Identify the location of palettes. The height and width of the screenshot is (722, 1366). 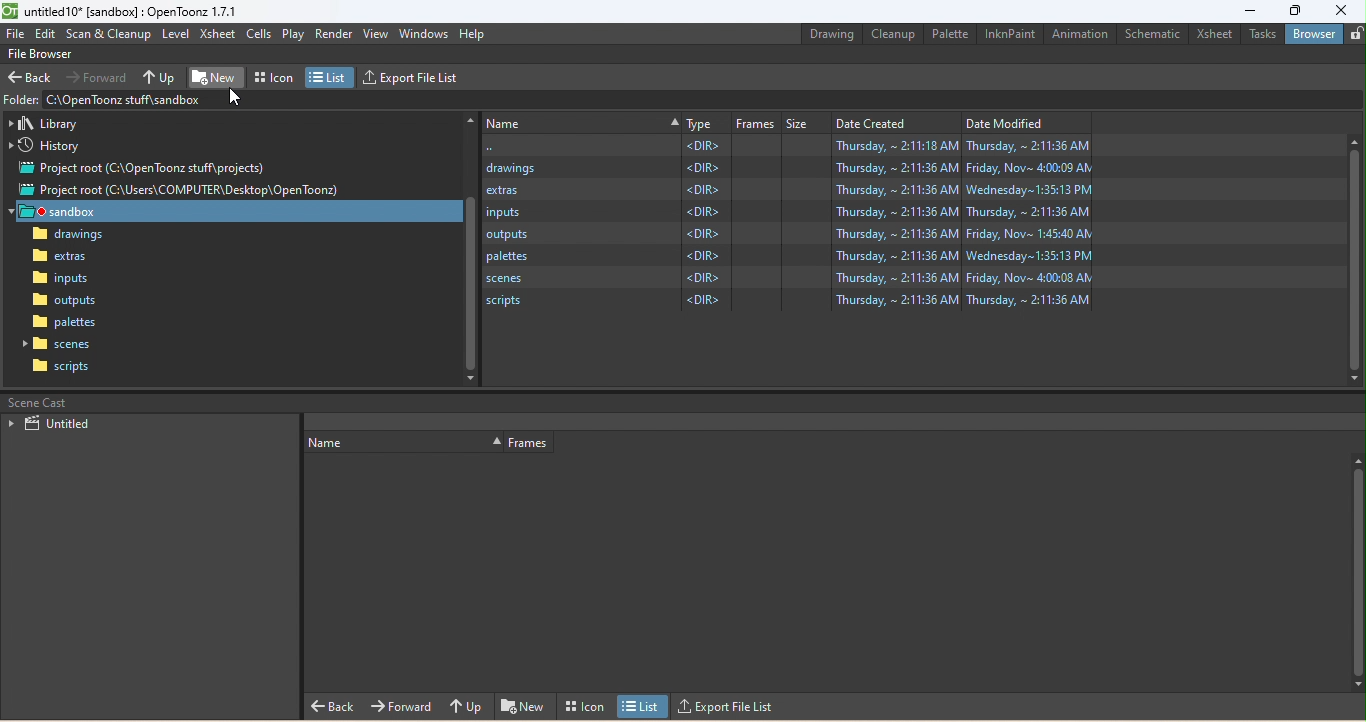
(784, 256).